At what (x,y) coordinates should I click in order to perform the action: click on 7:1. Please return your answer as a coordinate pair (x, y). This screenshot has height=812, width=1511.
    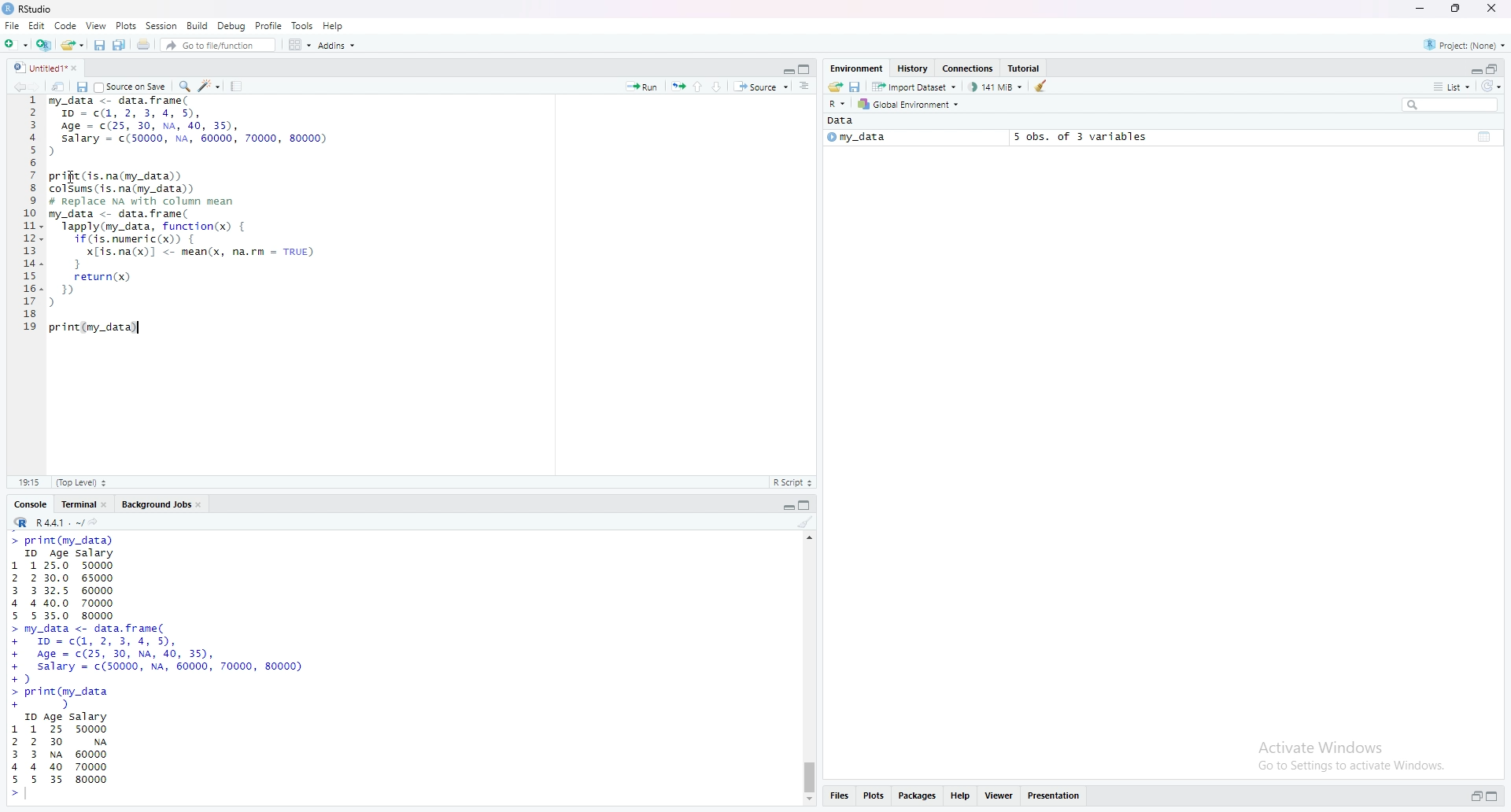
    Looking at the image, I should click on (29, 481).